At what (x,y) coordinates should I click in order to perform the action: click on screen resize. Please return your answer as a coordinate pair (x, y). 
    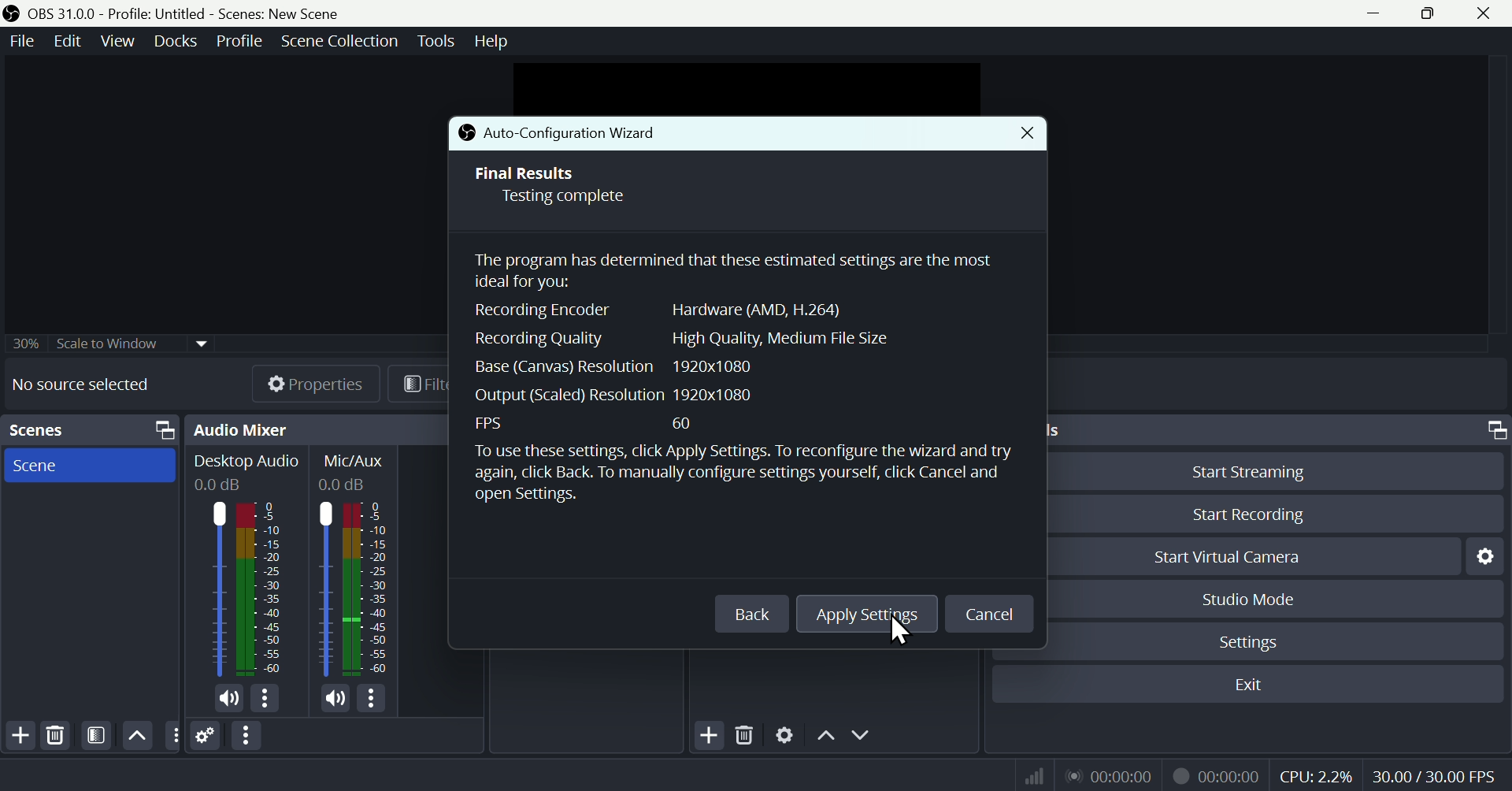
    Looking at the image, I should click on (1492, 430).